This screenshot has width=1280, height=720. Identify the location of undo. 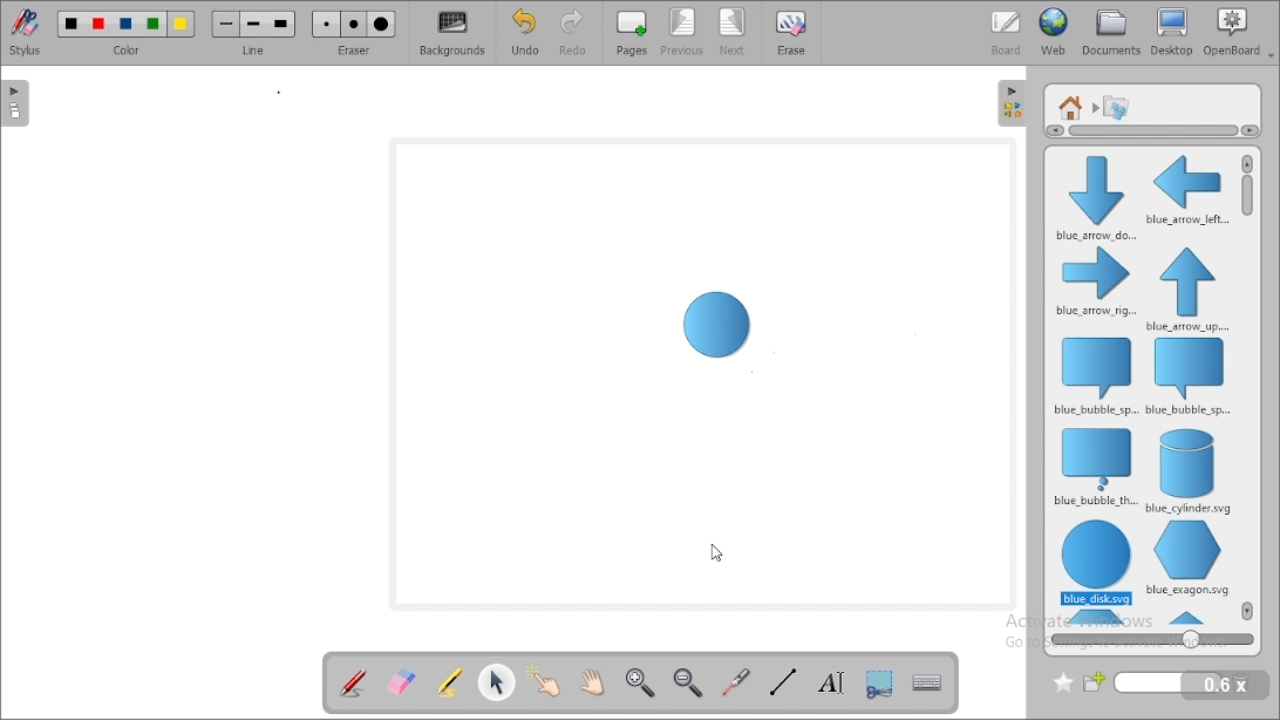
(525, 32).